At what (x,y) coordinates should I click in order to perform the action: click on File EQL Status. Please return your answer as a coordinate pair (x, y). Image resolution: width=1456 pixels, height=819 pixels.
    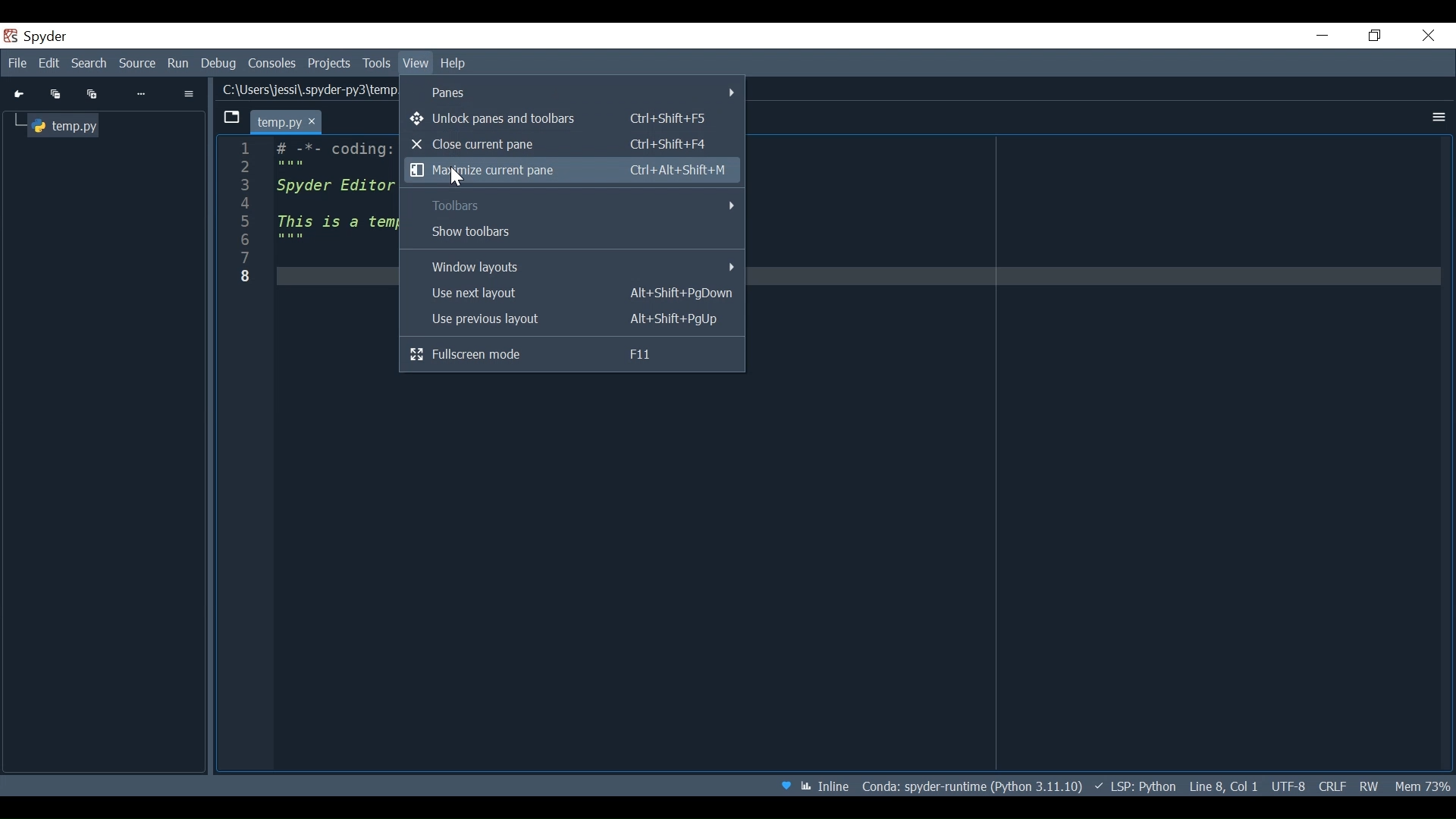
    Looking at the image, I should click on (1332, 786).